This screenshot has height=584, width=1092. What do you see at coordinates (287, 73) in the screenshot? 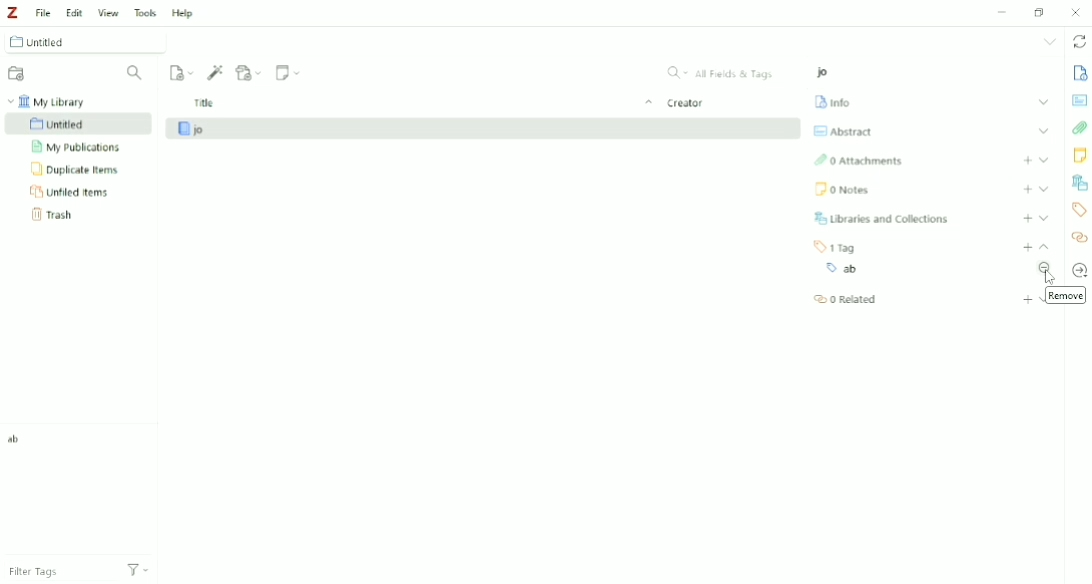
I see `New Note` at bounding box center [287, 73].